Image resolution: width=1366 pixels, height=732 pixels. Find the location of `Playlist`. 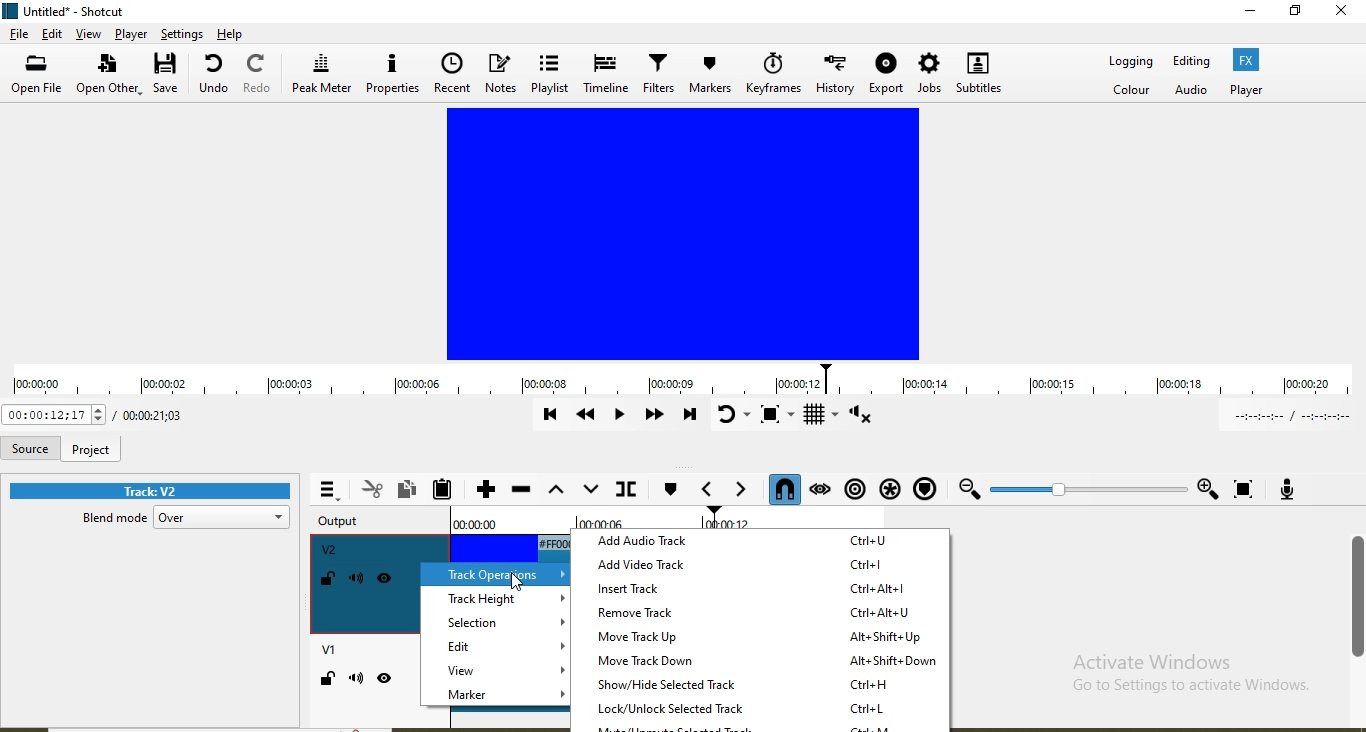

Playlist is located at coordinates (550, 74).